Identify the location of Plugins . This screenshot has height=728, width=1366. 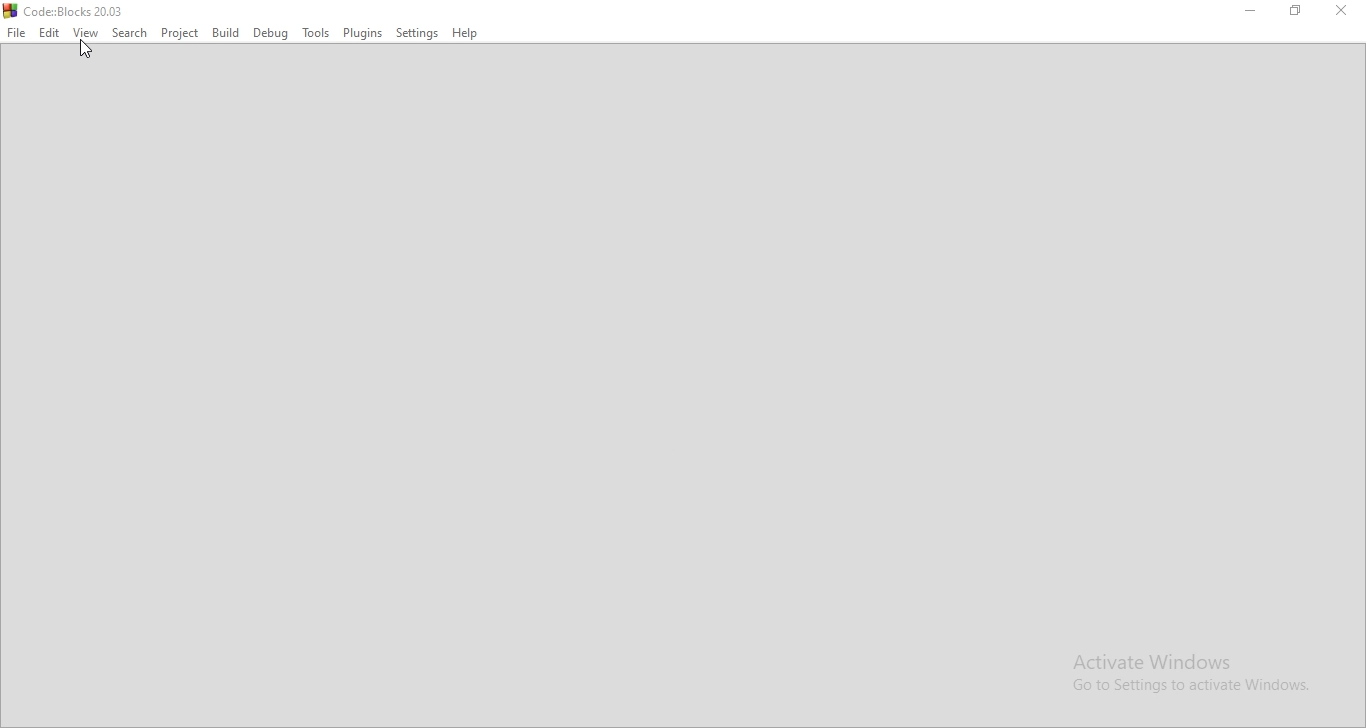
(362, 32).